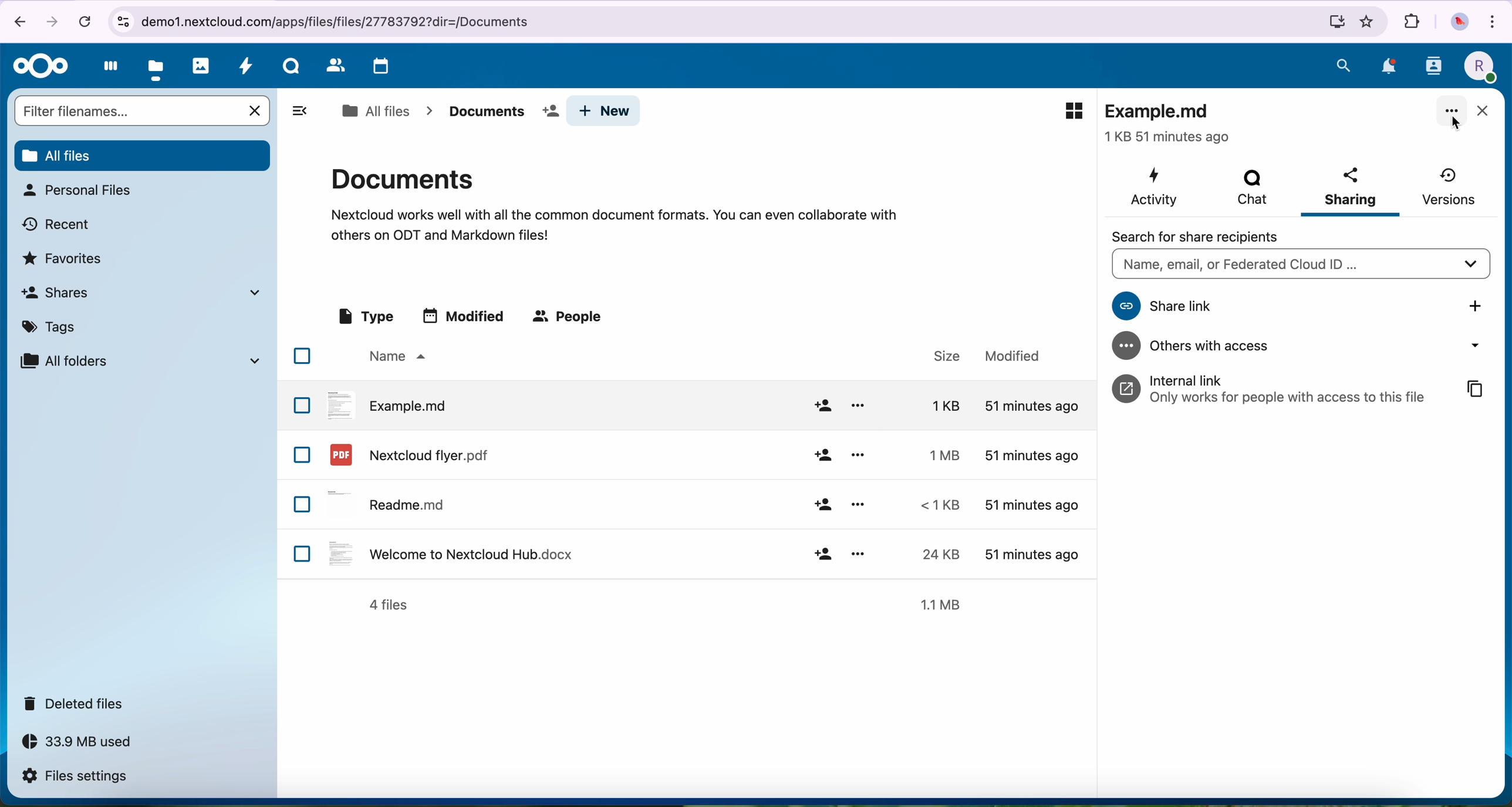 Image resolution: width=1512 pixels, height=807 pixels. Describe the element at coordinates (1476, 305) in the screenshot. I see `add link` at that location.